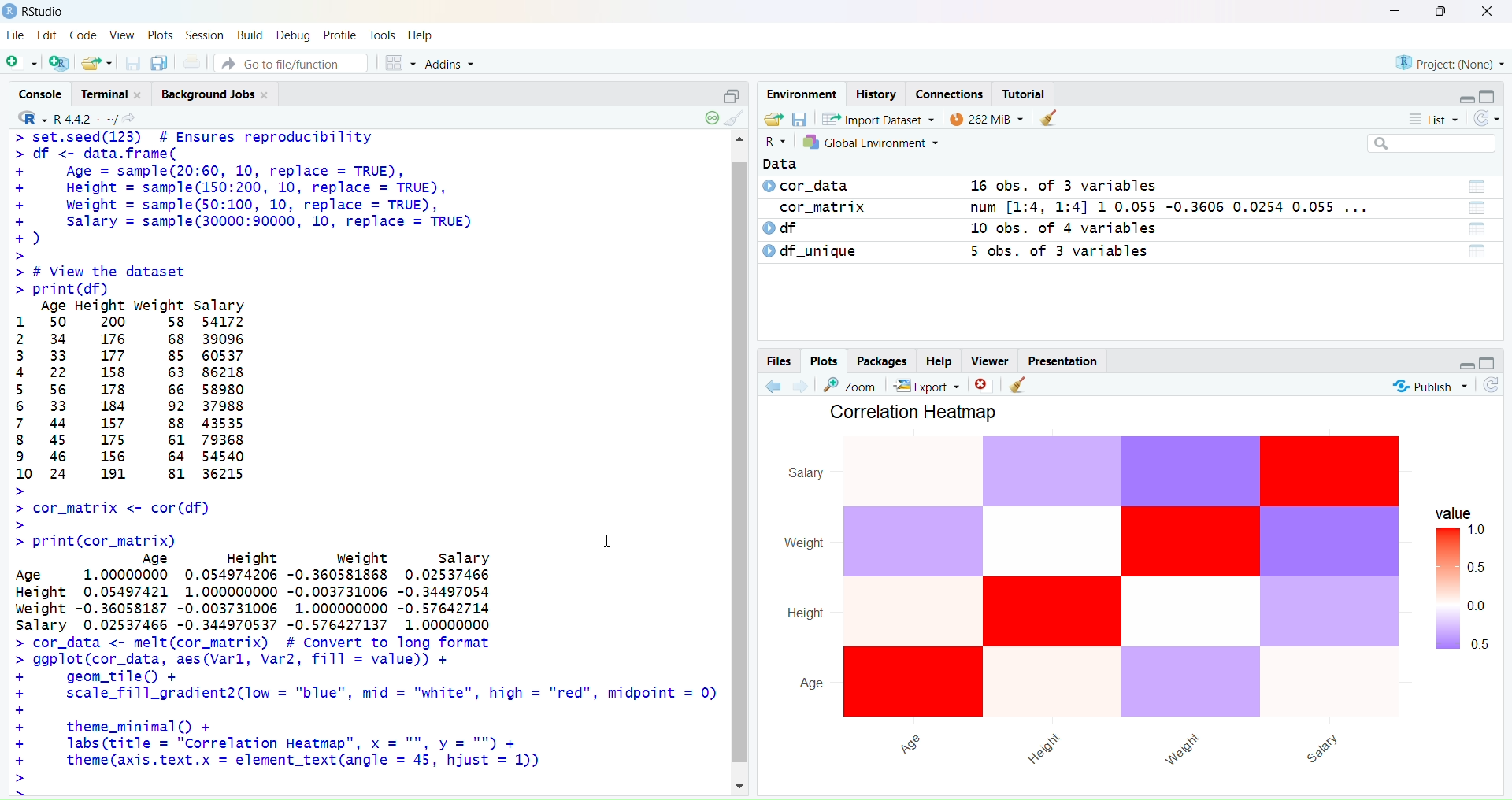 The width and height of the screenshot is (1512, 800). Describe the element at coordinates (250, 34) in the screenshot. I see `Build` at that location.